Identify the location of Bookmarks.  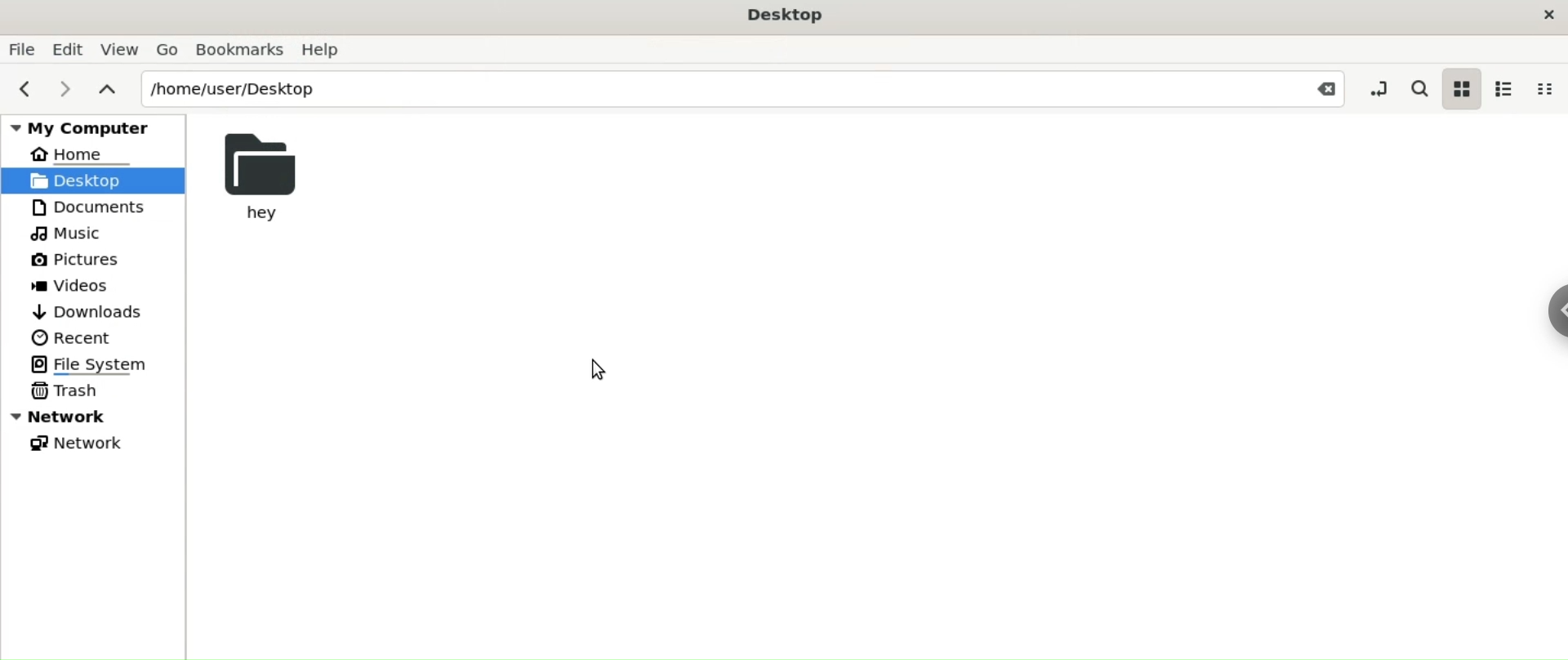
(243, 48).